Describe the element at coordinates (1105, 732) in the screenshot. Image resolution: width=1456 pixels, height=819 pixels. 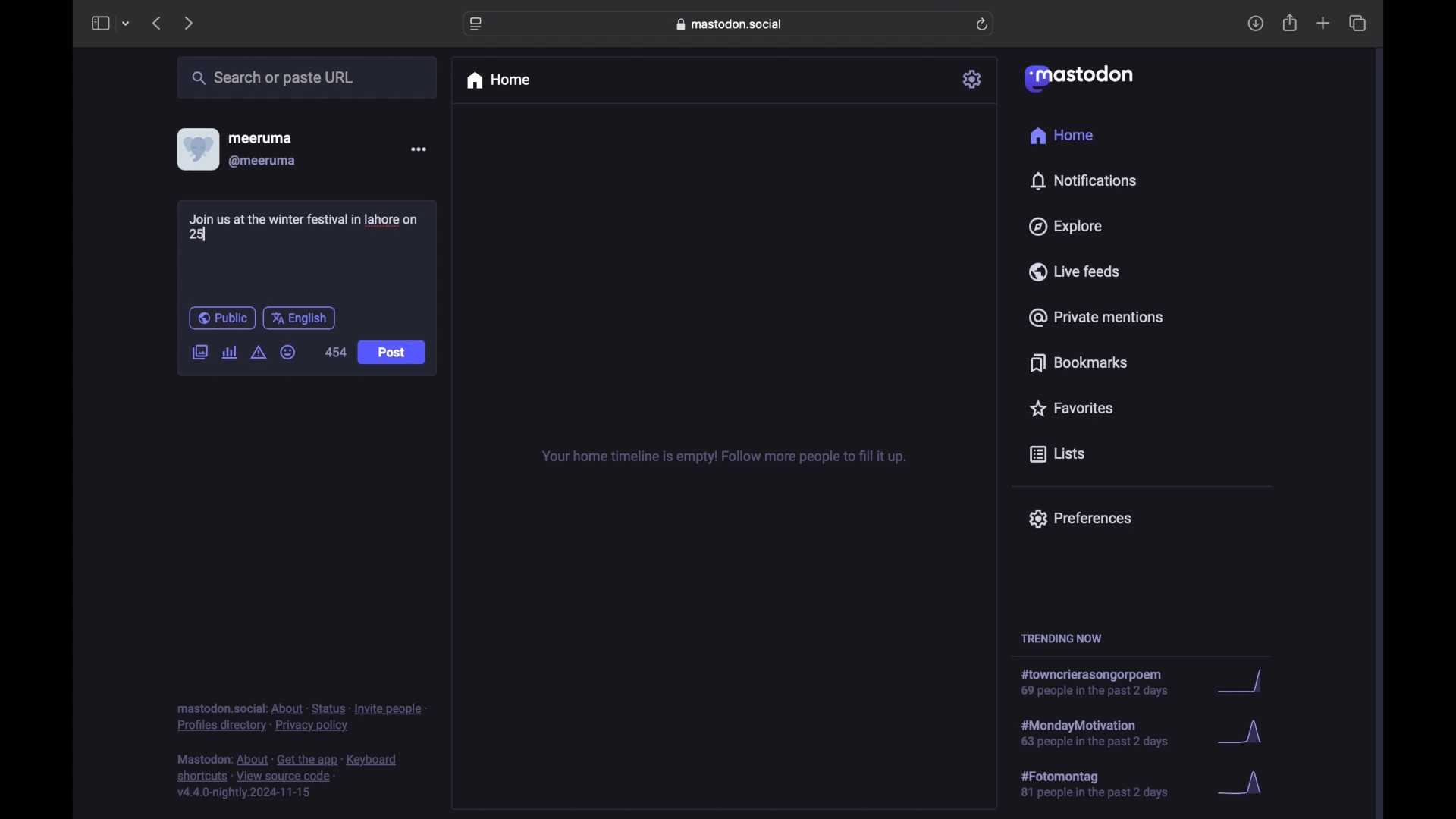
I see `hashtag trend` at that location.